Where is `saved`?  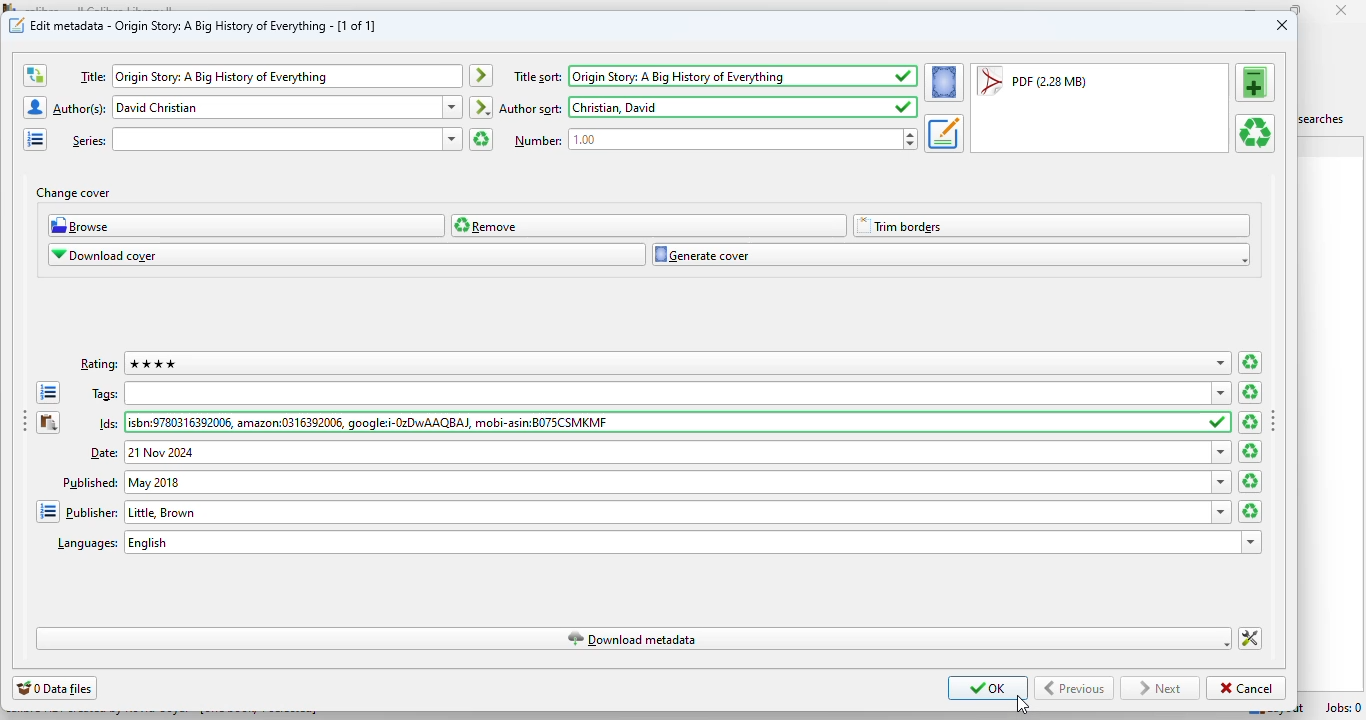
saved is located at coordinates (905, 76).